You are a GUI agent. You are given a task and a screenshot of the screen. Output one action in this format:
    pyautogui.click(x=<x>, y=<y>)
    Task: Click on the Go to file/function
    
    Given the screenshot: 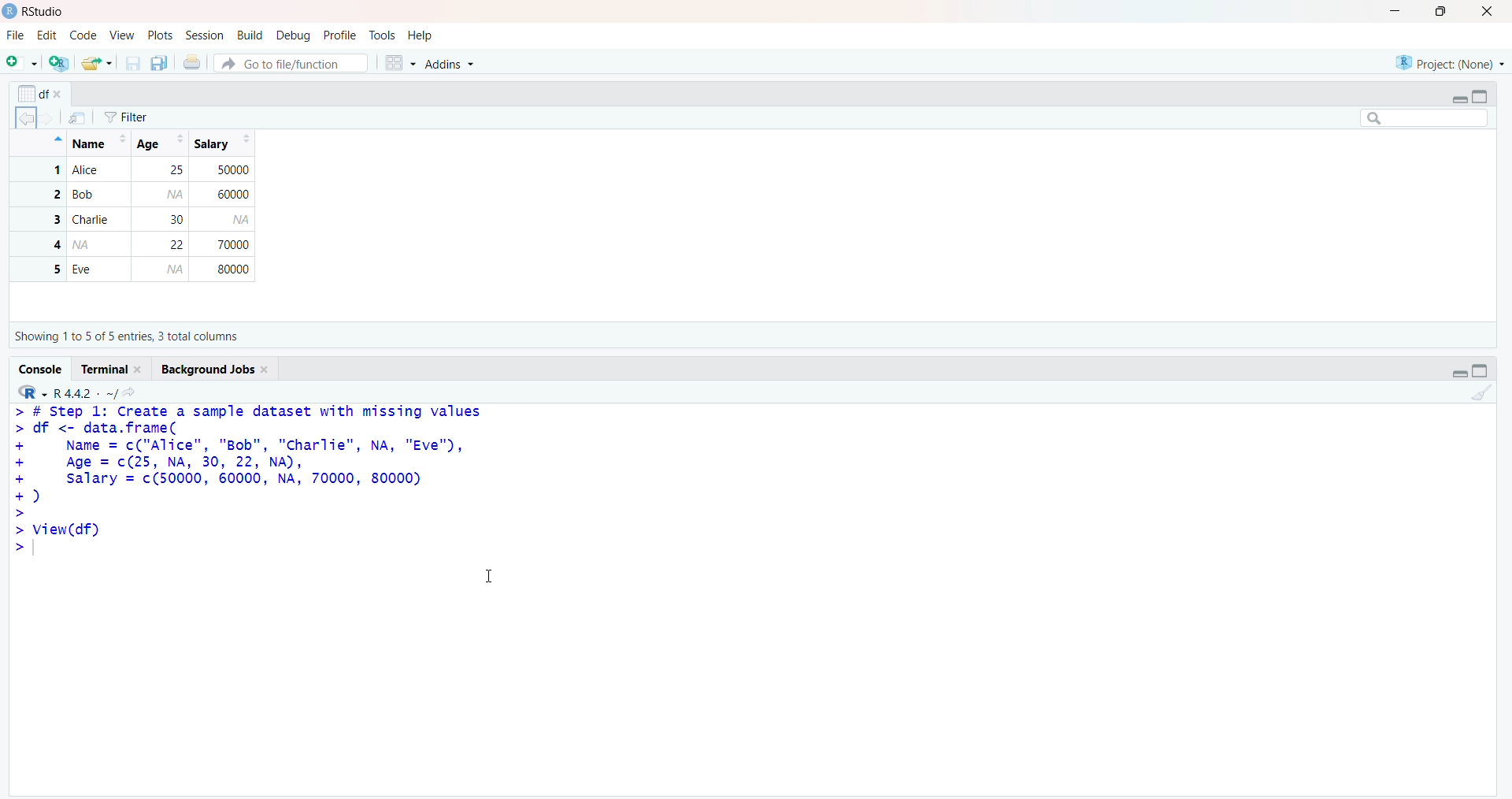 What is the action you would take?
    pyautogui.click(x=291, y=62)
    